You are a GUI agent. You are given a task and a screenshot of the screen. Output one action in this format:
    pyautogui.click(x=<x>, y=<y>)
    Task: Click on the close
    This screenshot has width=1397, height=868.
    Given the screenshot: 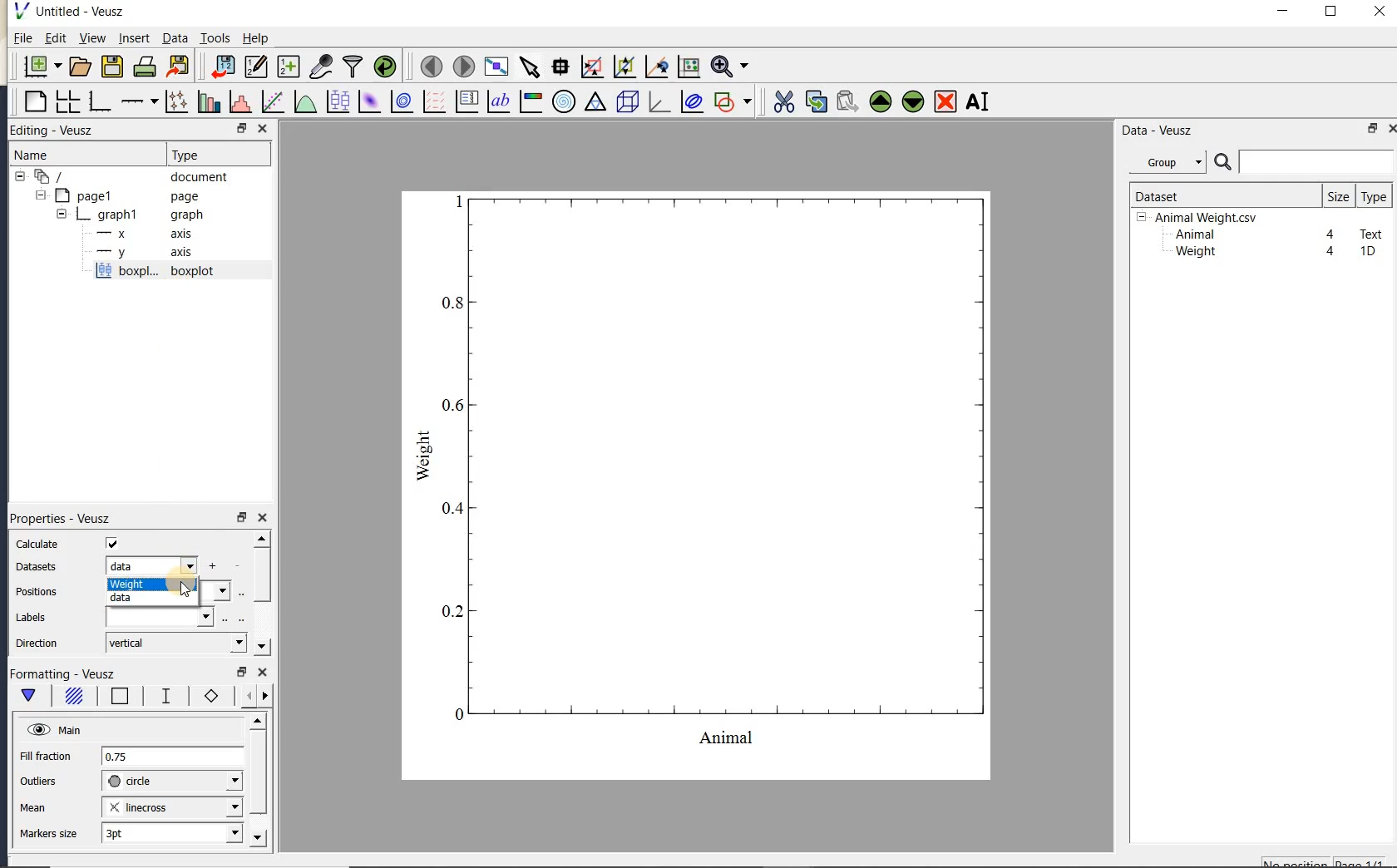 What is the action you would take?
    pyautogui.click(x=263, y=519)
    